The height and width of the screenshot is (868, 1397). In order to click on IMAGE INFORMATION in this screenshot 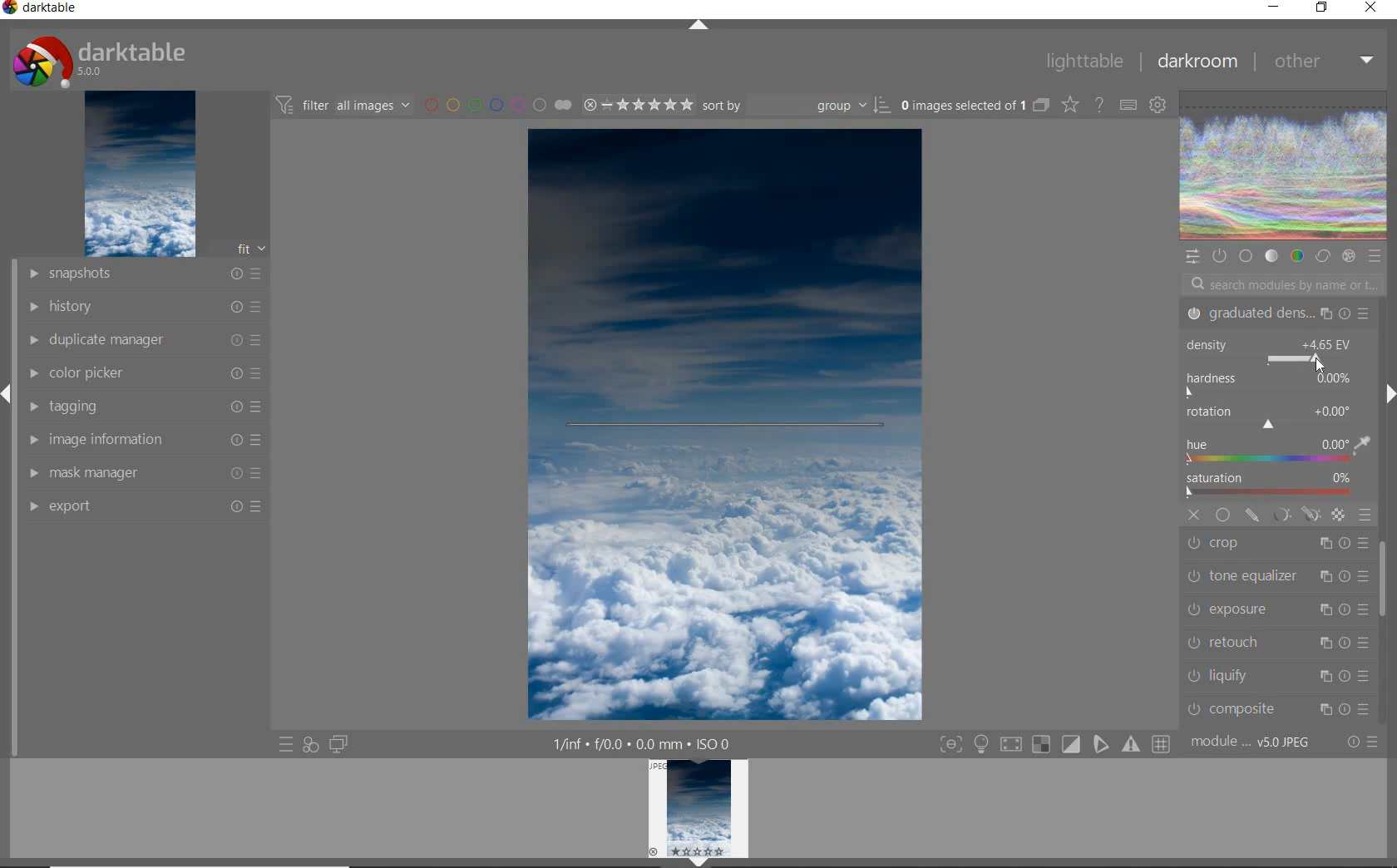, I will do `click(147, 439)`.